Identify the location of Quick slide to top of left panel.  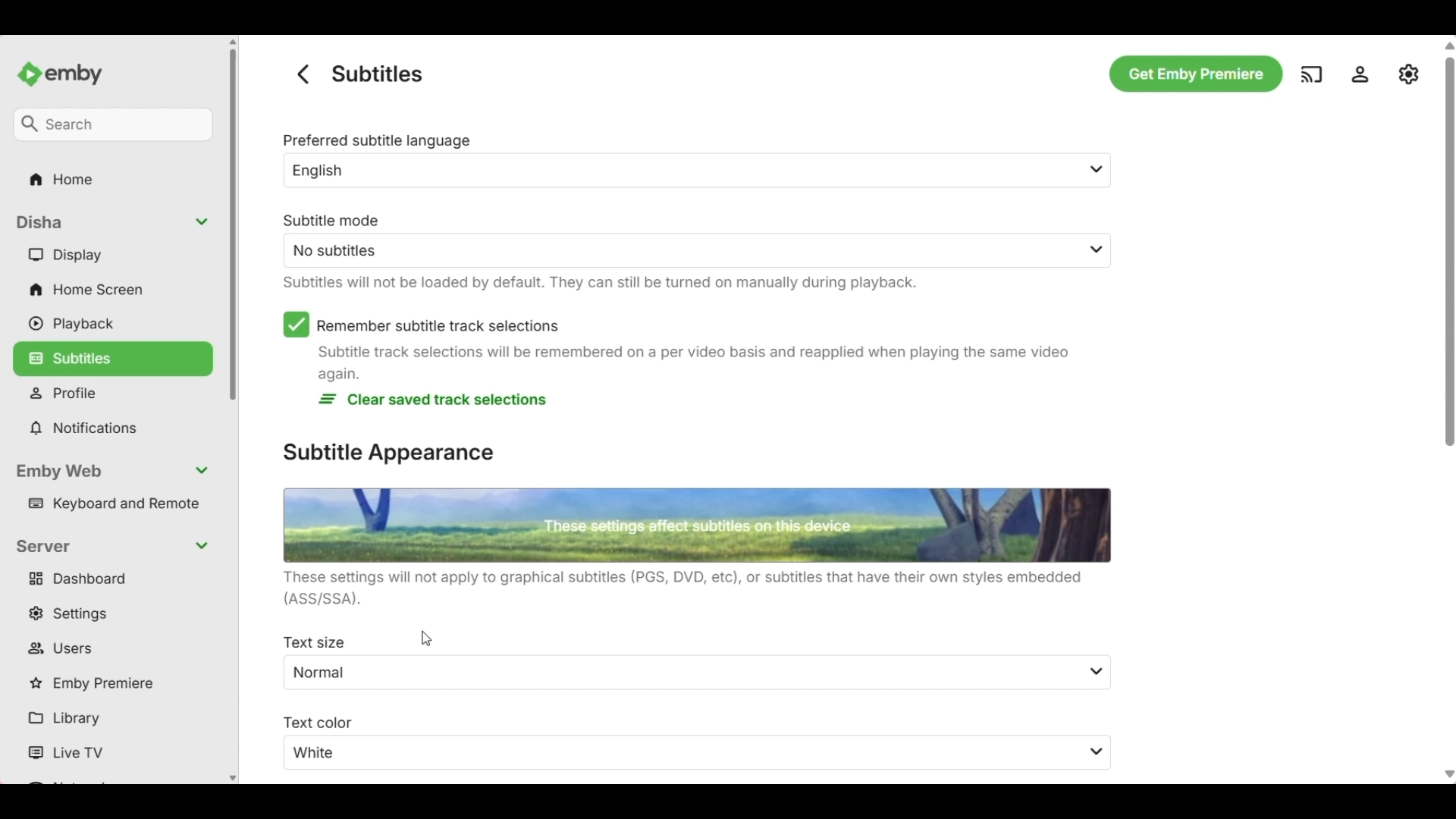
(233, 42).